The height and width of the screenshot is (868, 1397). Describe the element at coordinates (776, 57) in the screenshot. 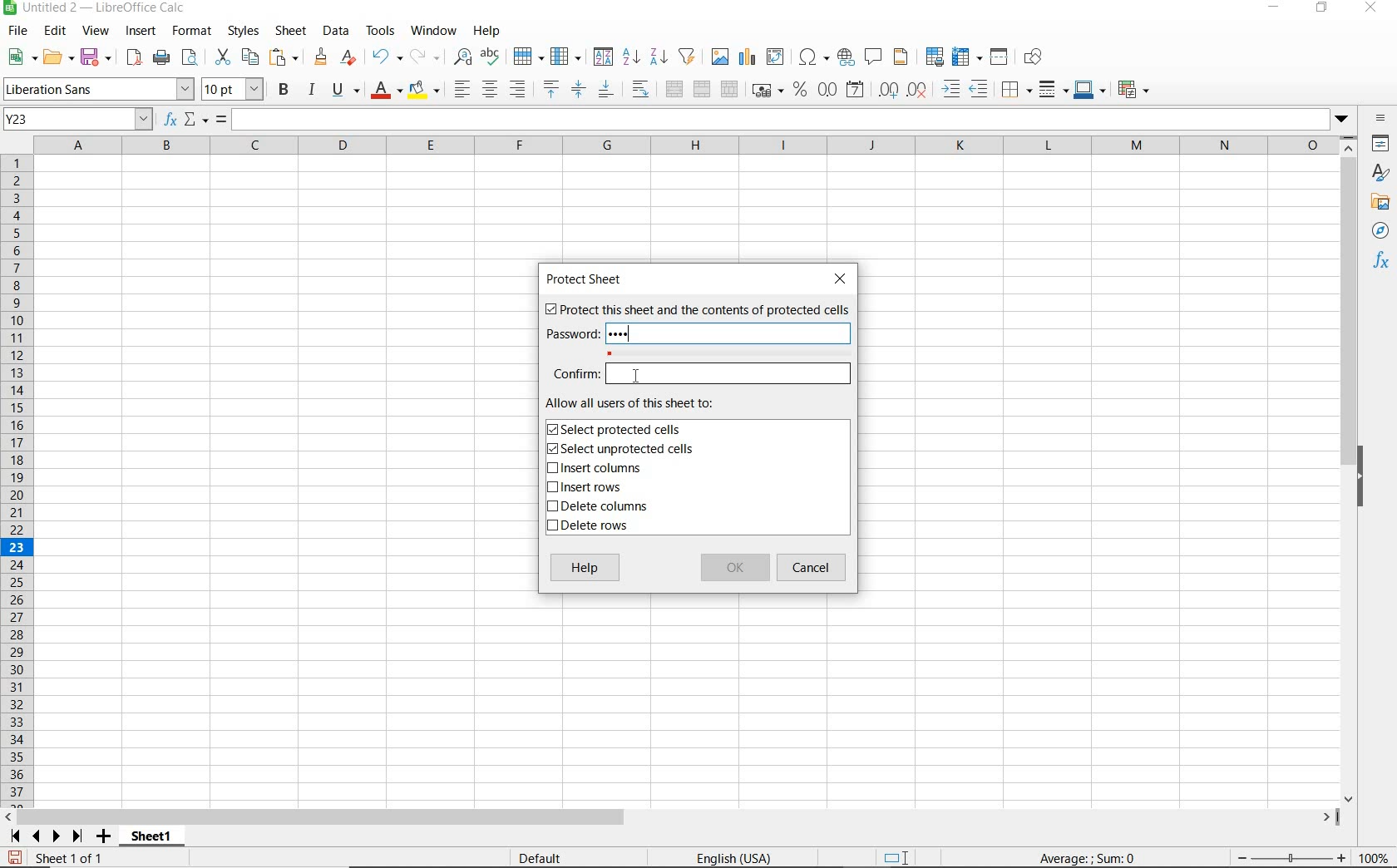

I see `INSERT OR EDIT PIVOT TABLE` at that location.